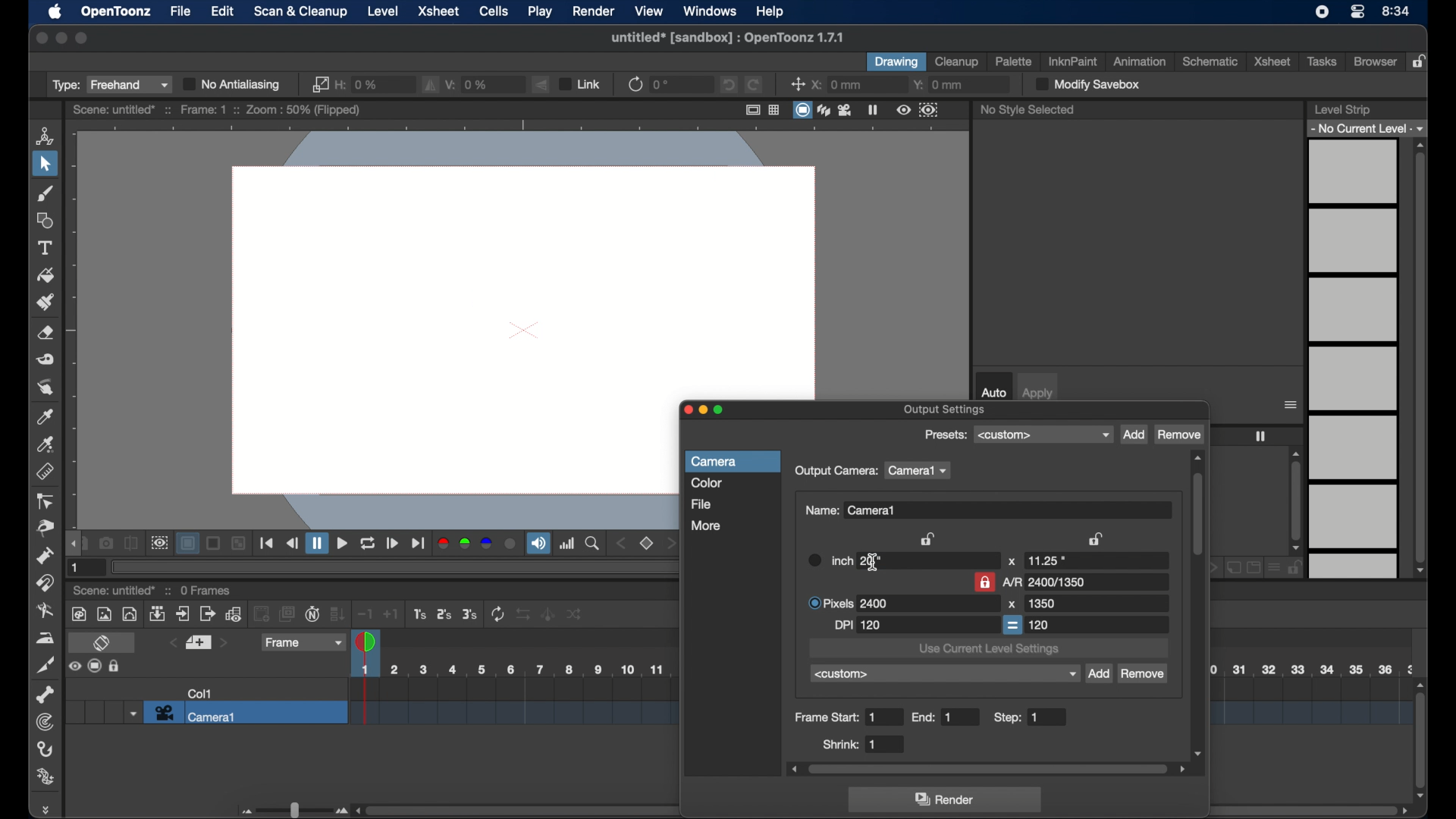 Image resolution: width=1456 pixels, height=819 pixels. I want to click on selection tool, so click(45, 165).